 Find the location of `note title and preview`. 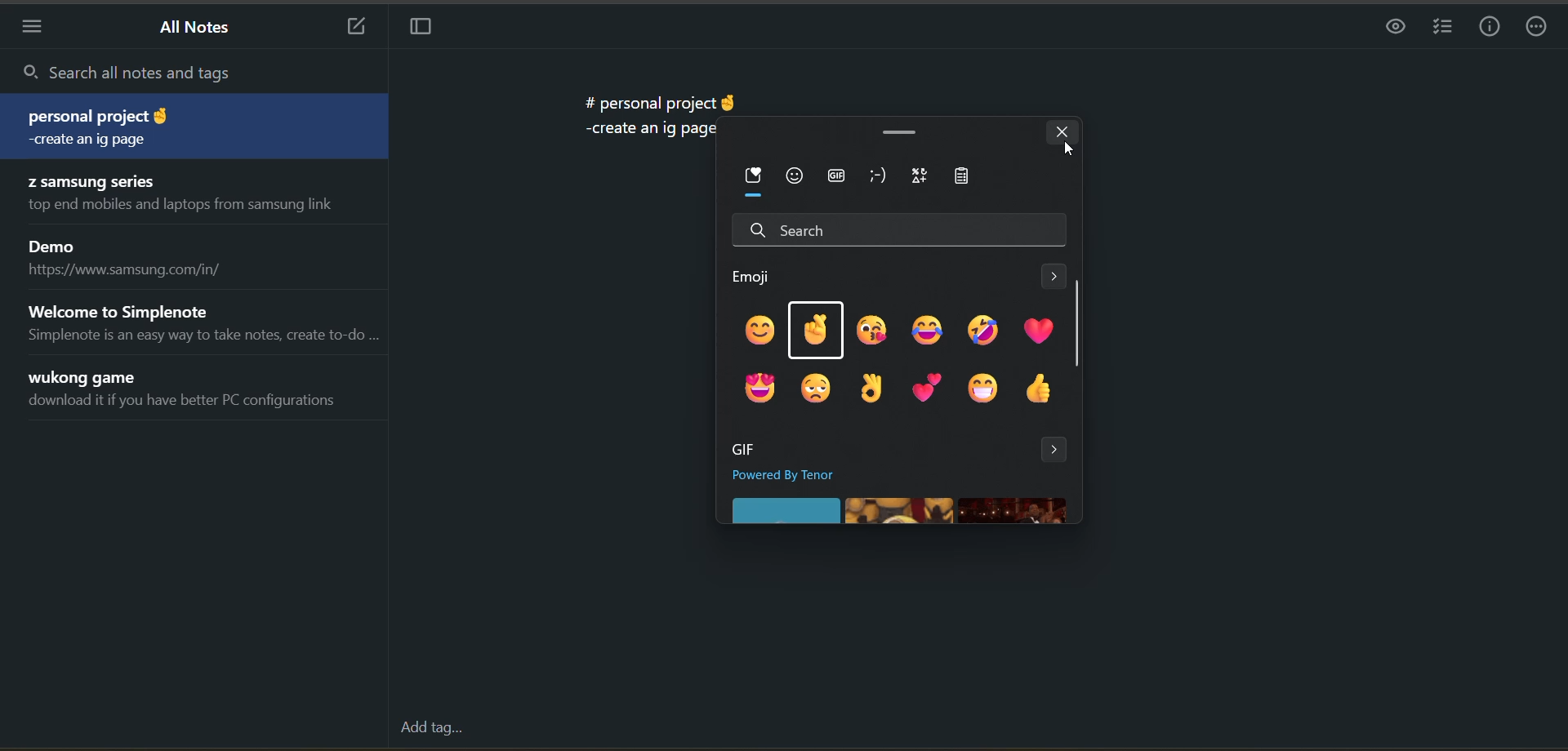

note title and preview is located at coordinates (189, 195).